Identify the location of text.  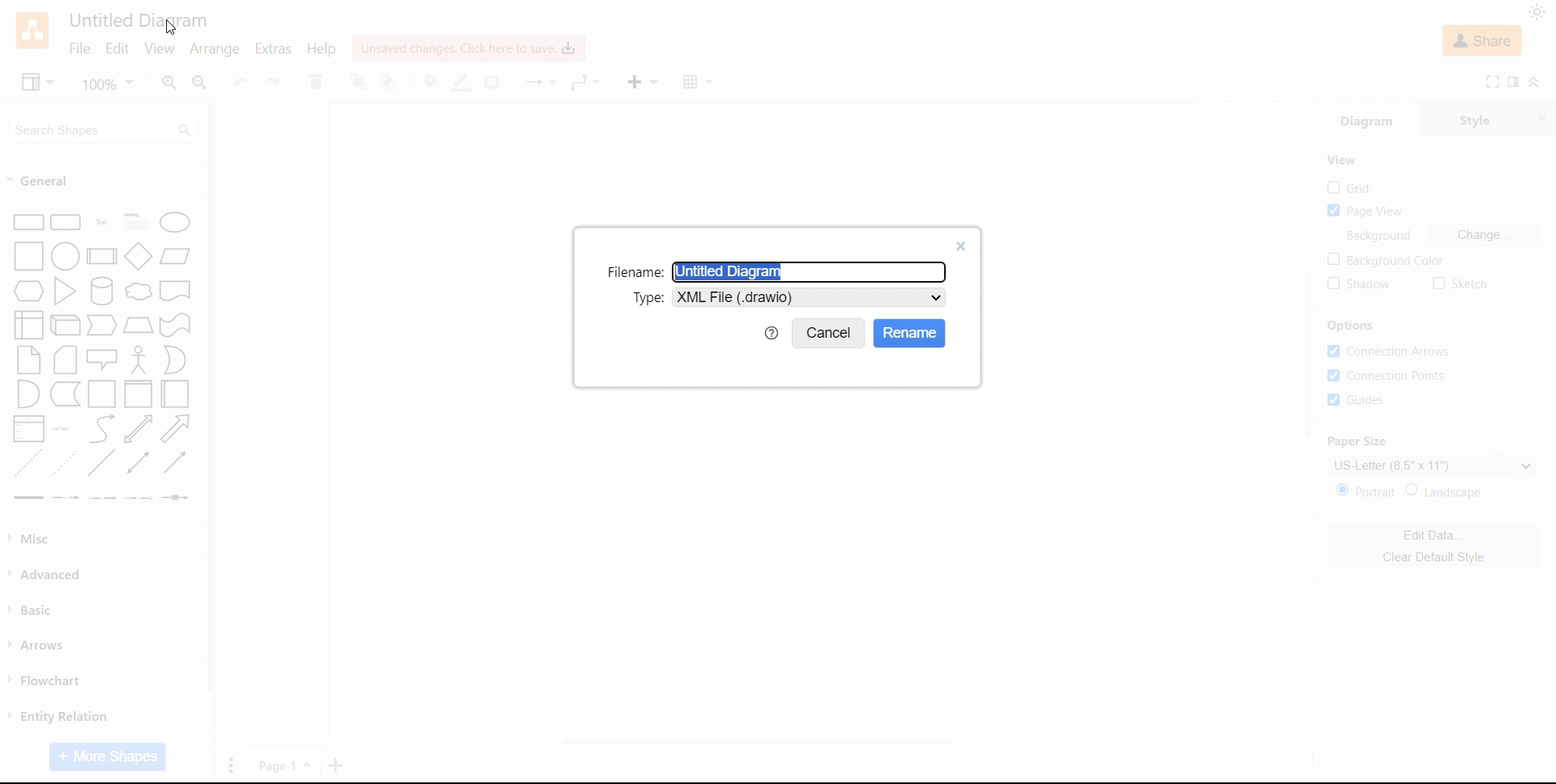
(633, 272).